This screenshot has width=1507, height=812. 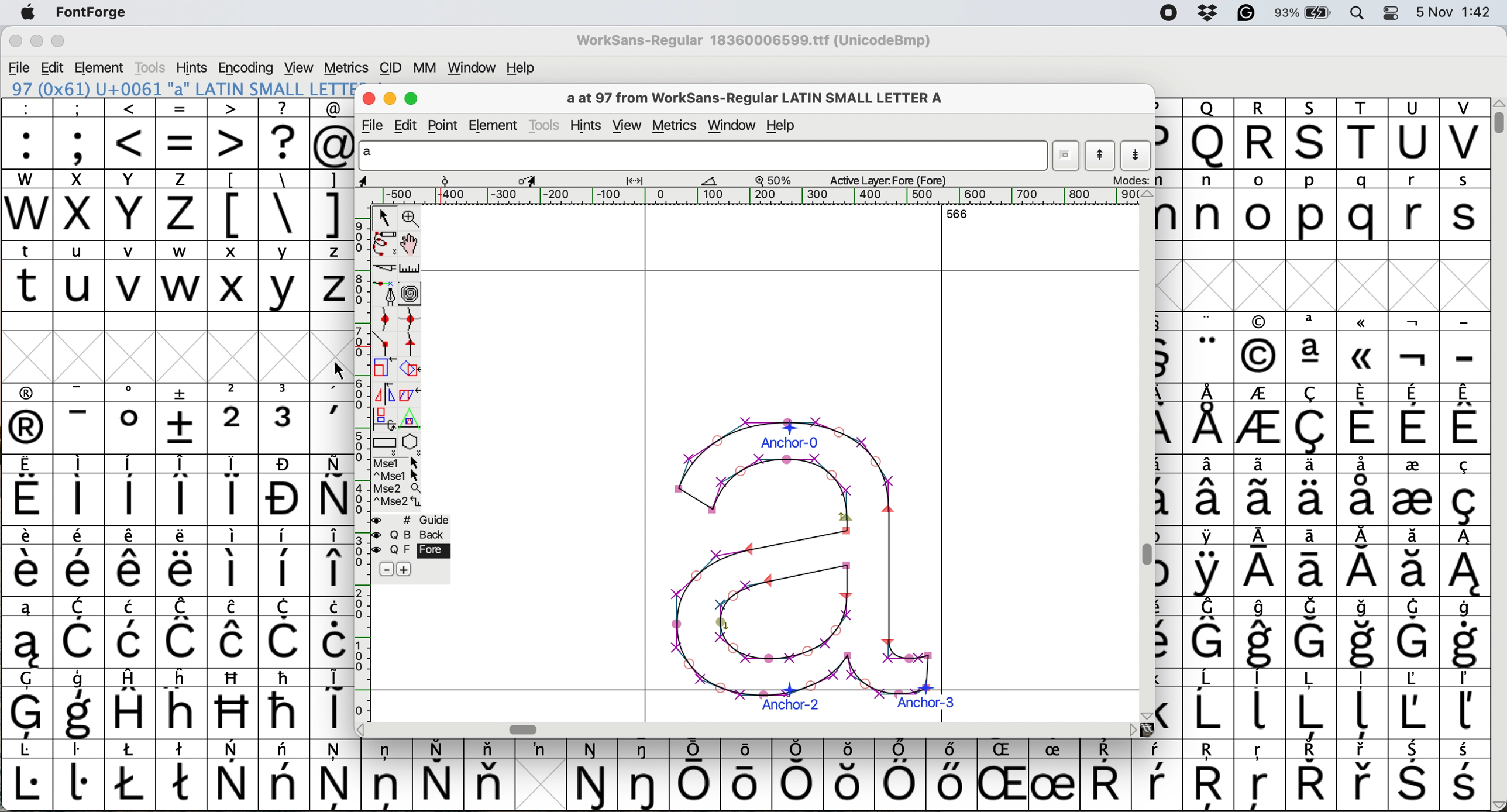 What do you see at coordinates (386, 316) in the screenshot?
I see `add a curve point` at bounding box center [386, 316].